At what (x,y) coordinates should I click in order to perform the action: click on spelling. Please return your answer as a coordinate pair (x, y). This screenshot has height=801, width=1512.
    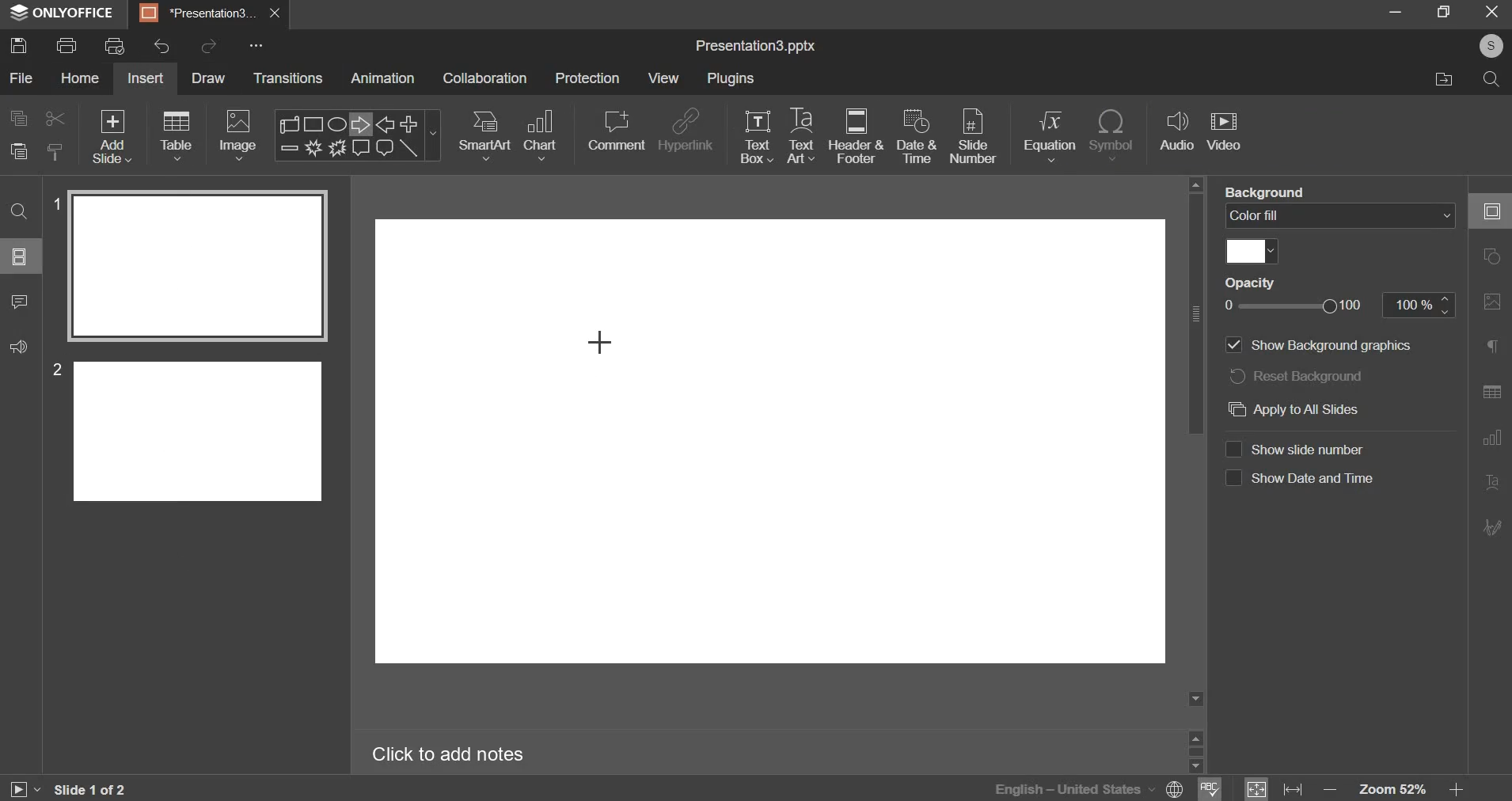
    Looking at the image, I should click on (1210, 788).